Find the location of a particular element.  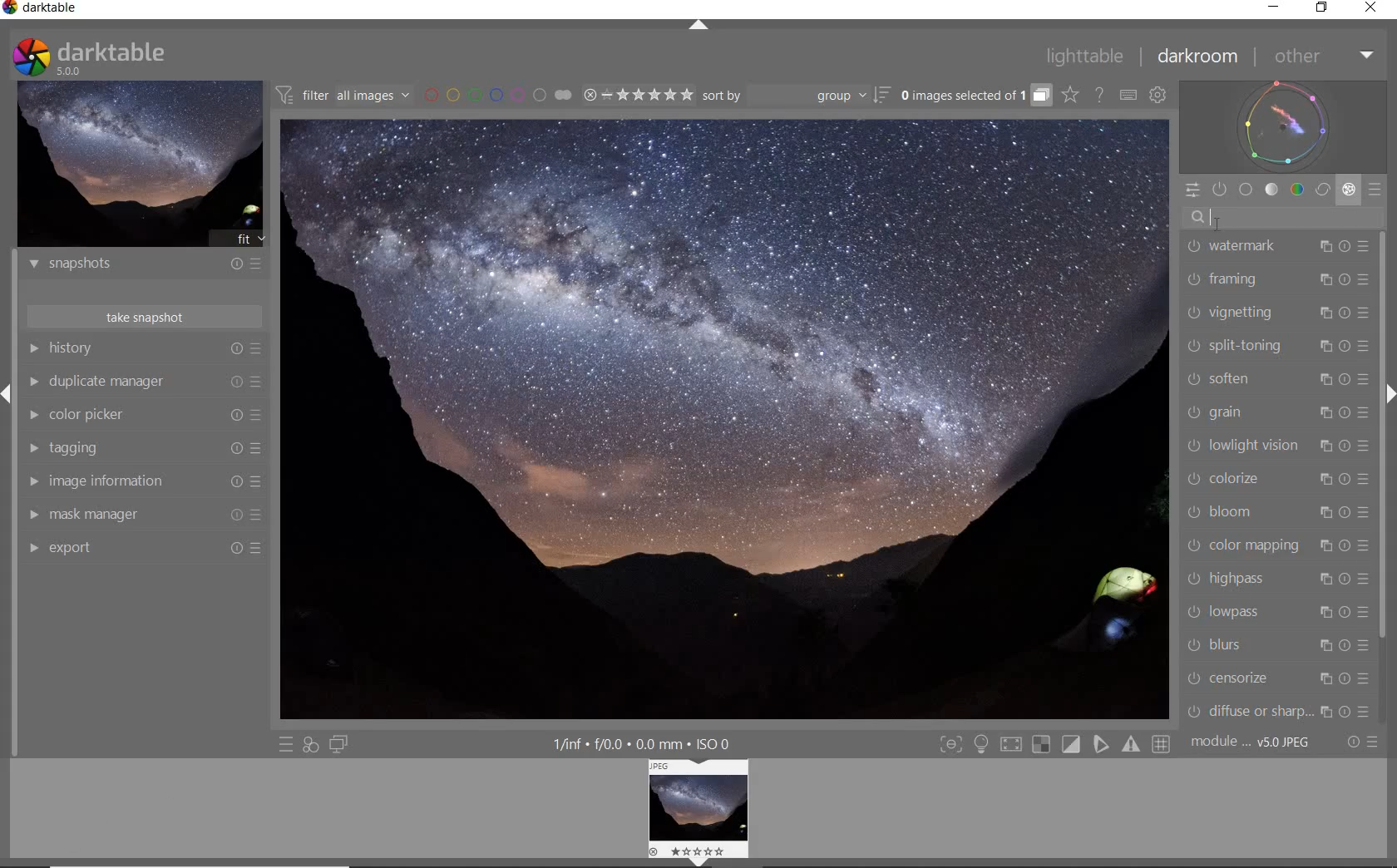

presets is located at coordinates (1364, 344).